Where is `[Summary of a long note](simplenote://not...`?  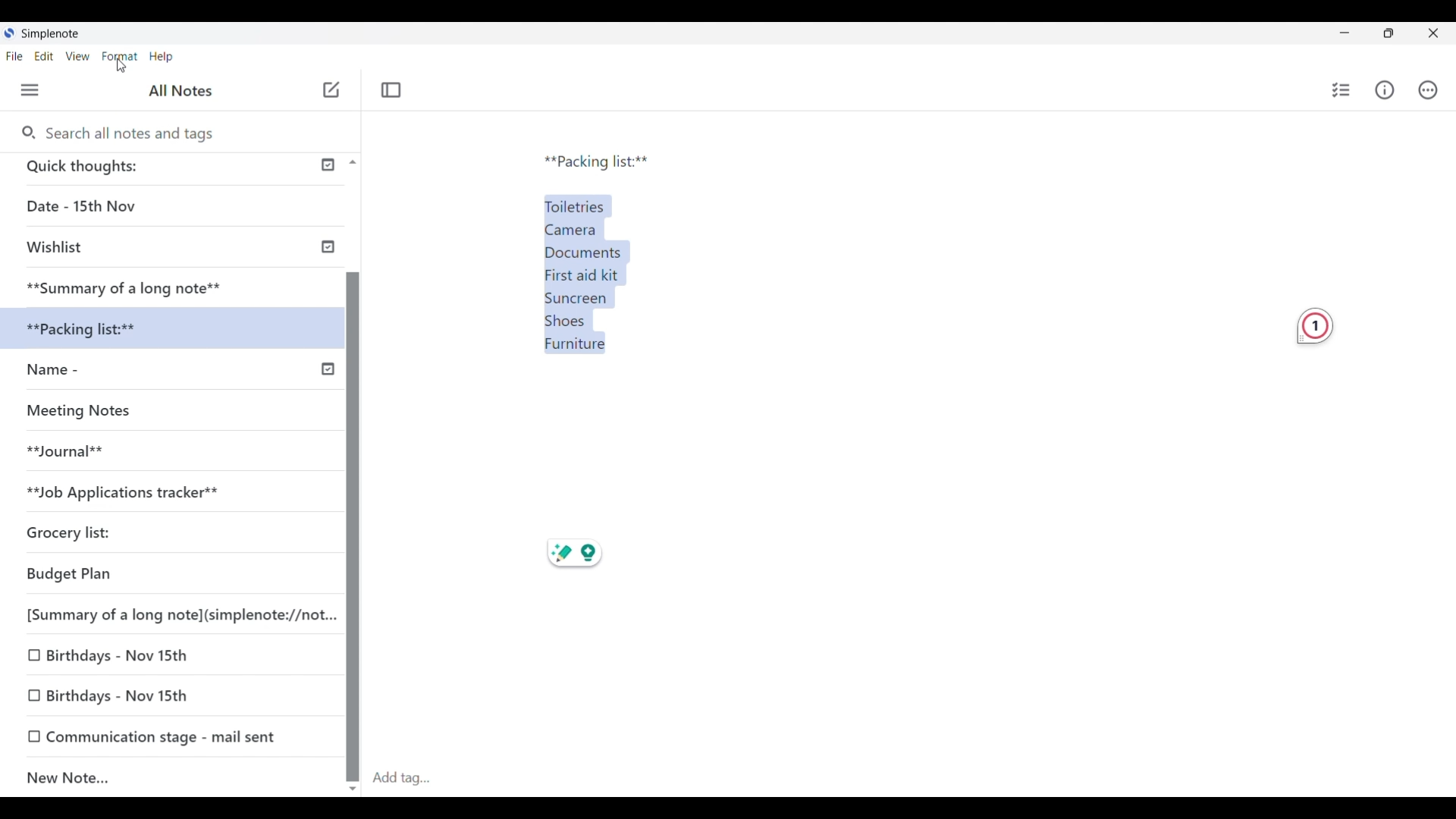
[Summary of a long note](simplenote://not... is located at coordinates (174, 614).